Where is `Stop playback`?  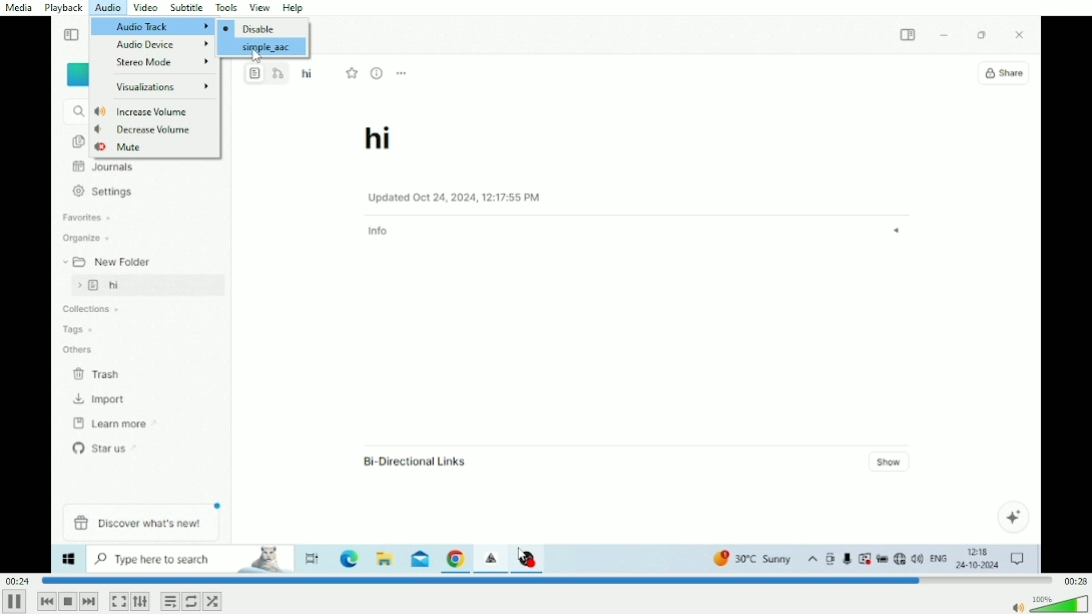
Stop playback is located at coordinates (67, 601).